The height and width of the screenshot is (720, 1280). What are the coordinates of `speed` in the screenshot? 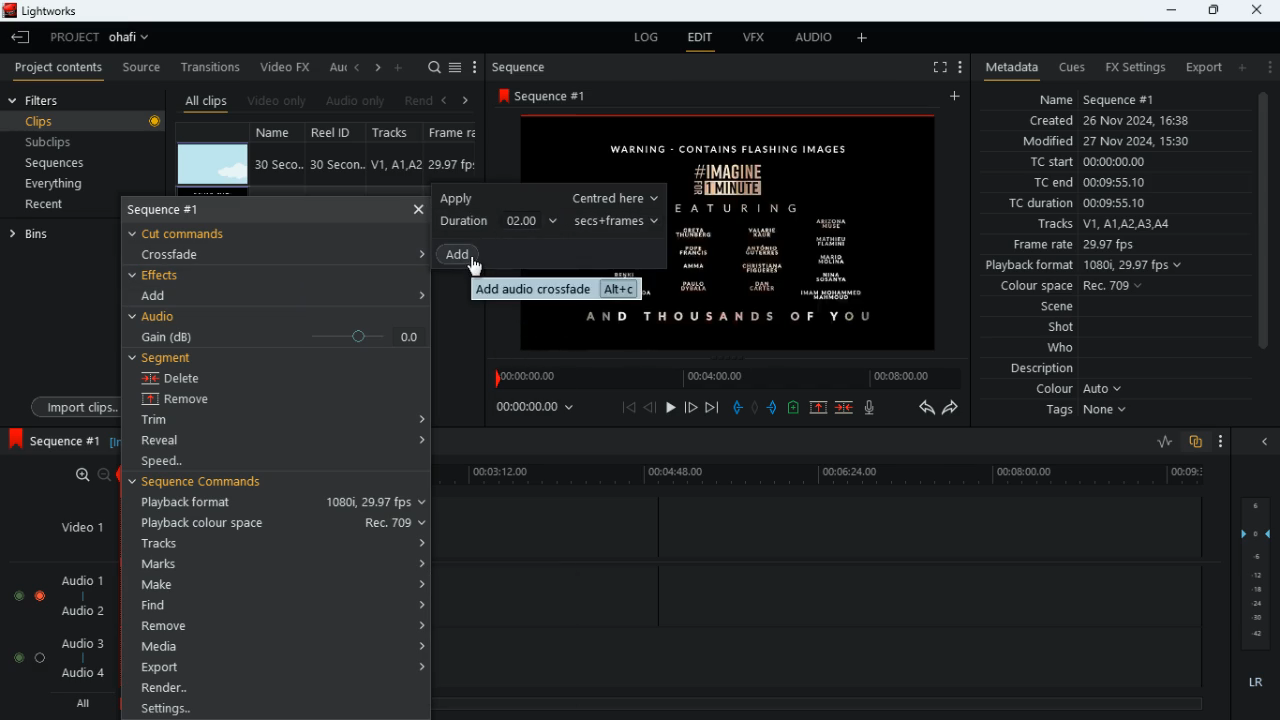 It's located at (184, 462).